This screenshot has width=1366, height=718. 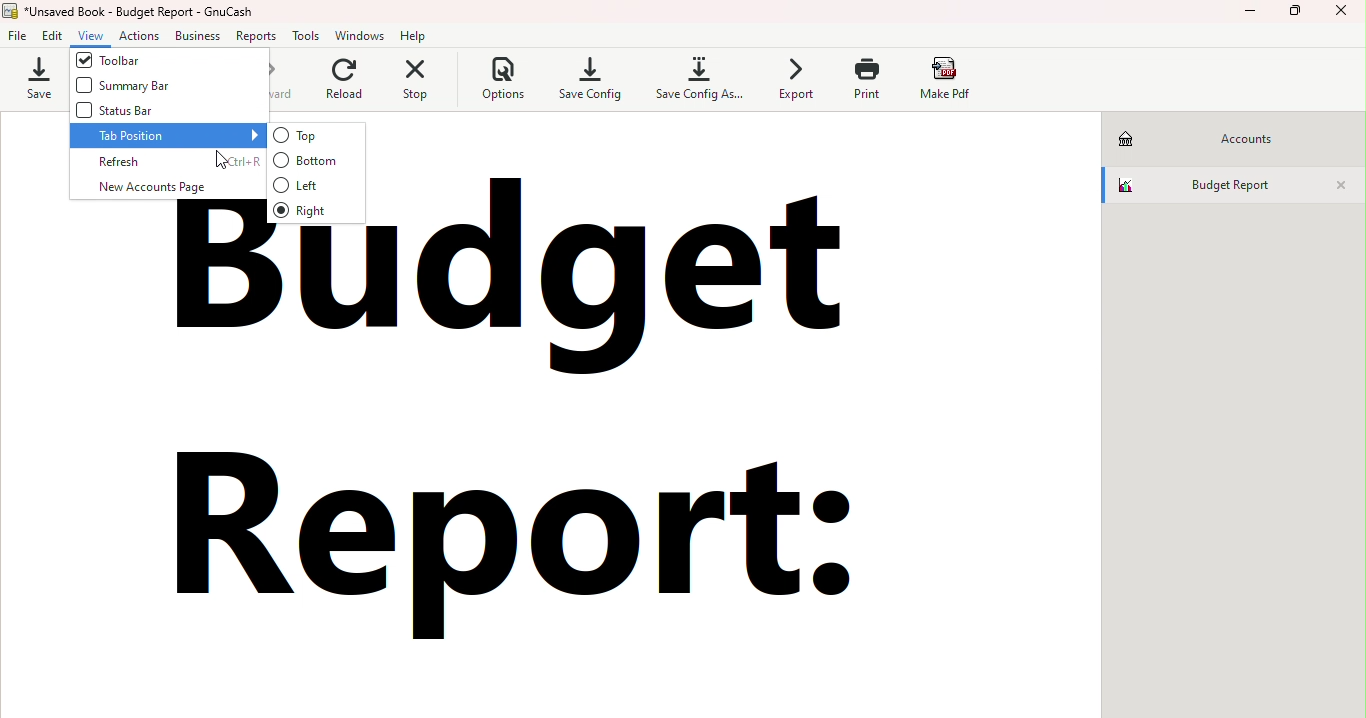 I want to click on Close, so click(x=1339, y=14).